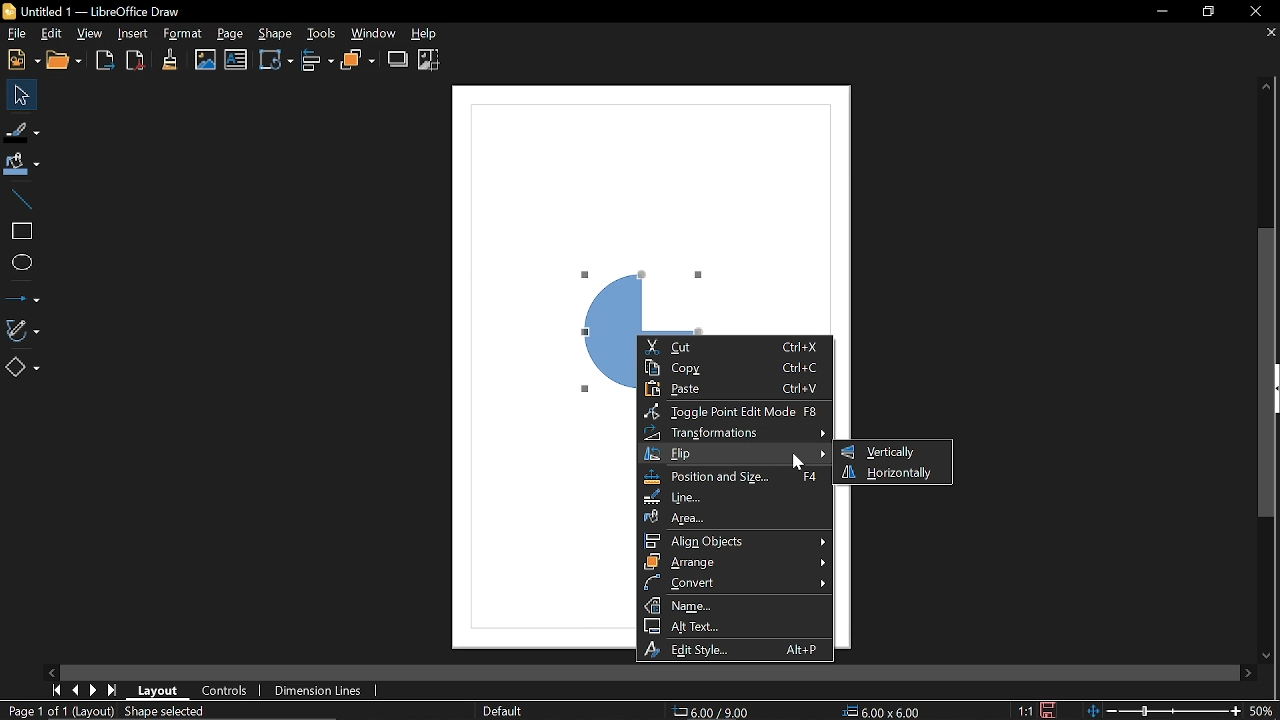 This screenshot has width=1280, height=720. What do you see at coordinates (58, 690) in the screenshot?
I see `Go to first page` at bounding box center [58, 690].